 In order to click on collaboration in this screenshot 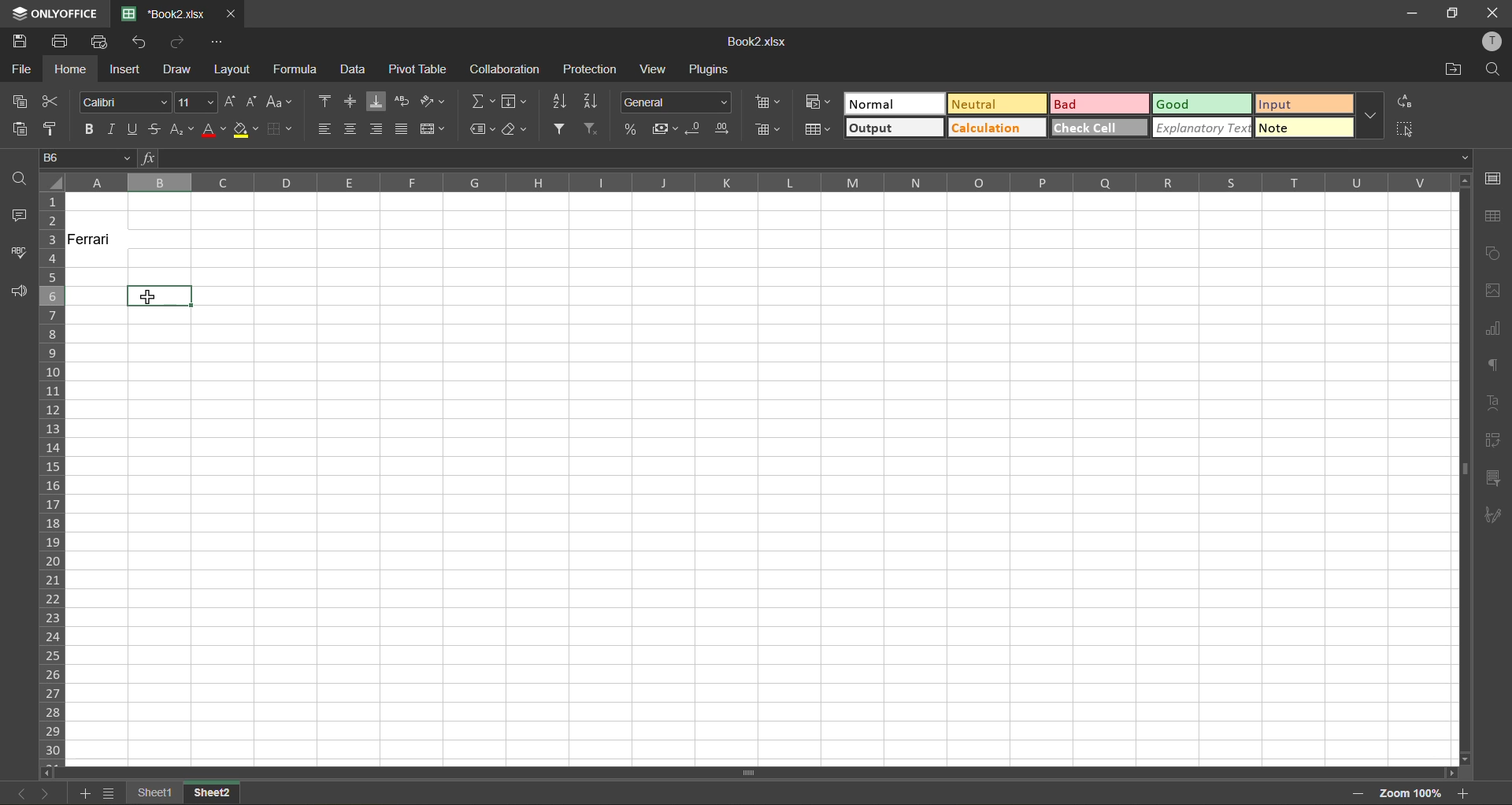, I will do `click(506, 69)`.